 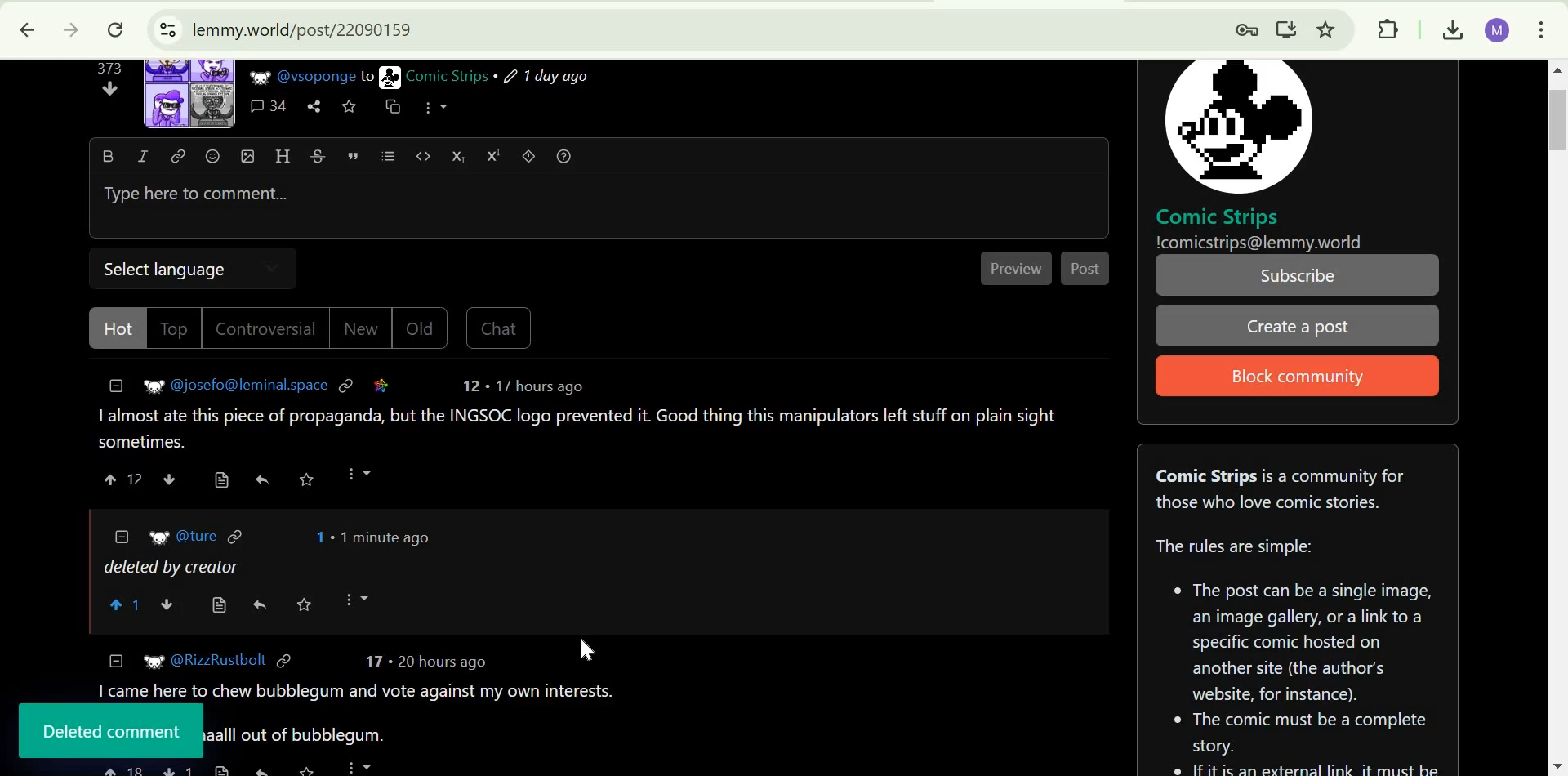 What do you see at coordinates (314, 107) in the screenshot?
I see `share` at bounding box center [314, 107].